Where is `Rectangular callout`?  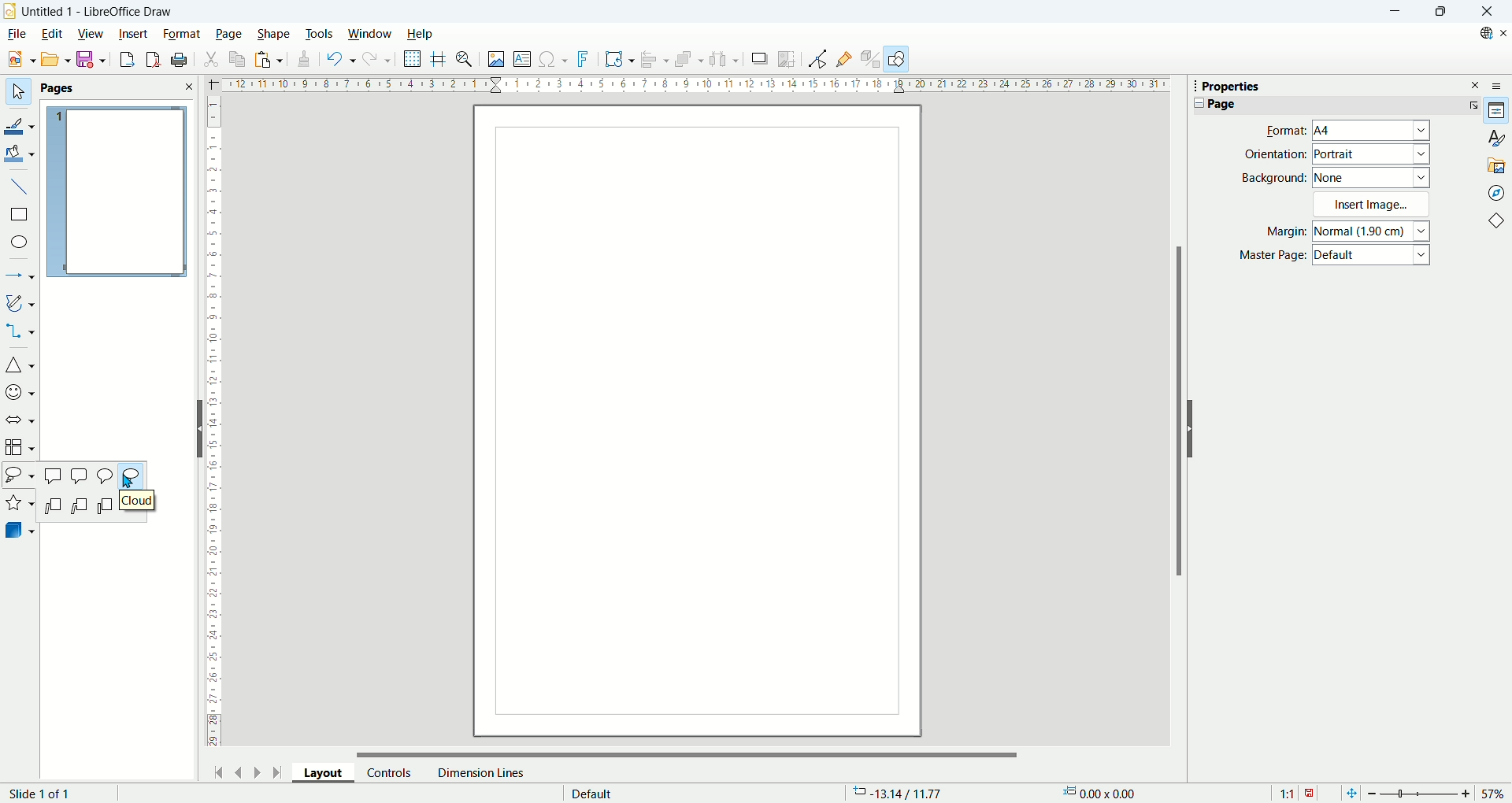
Rectangular callout is located at coordinates (54, 476).